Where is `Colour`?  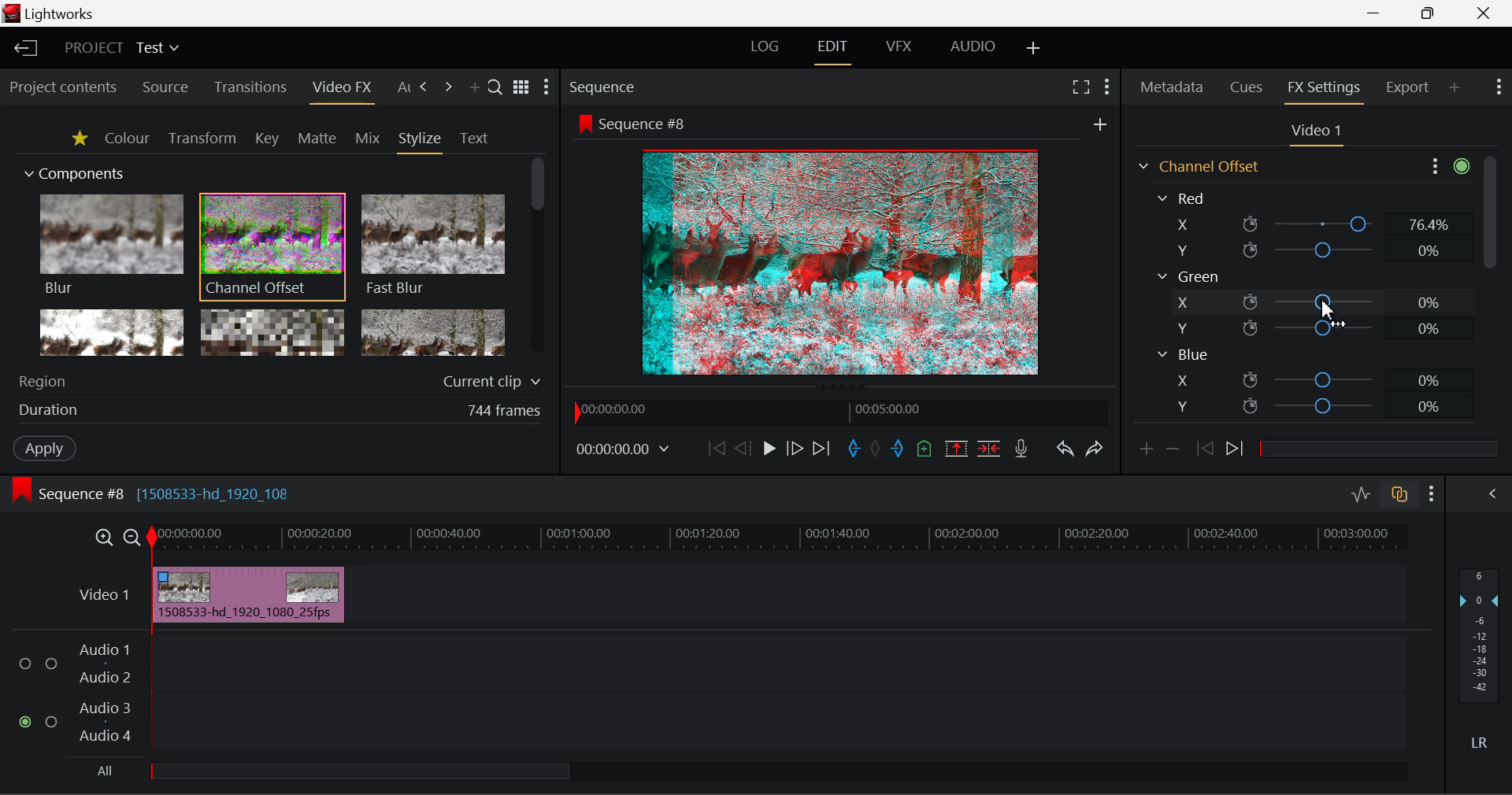 Colour is located at coordinates (126, 138).